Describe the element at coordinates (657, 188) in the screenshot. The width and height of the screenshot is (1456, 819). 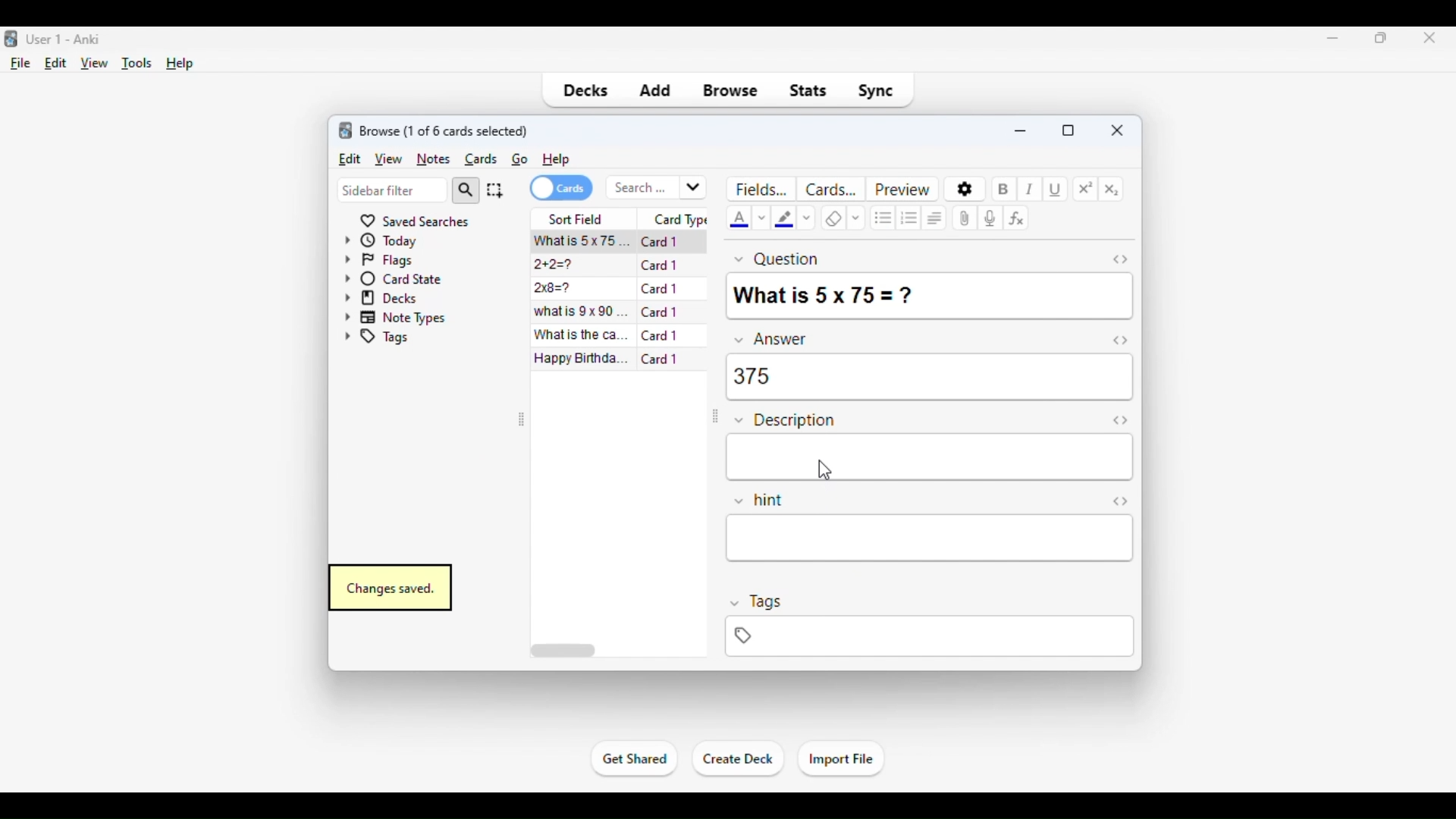
I see `search bar` at that location.